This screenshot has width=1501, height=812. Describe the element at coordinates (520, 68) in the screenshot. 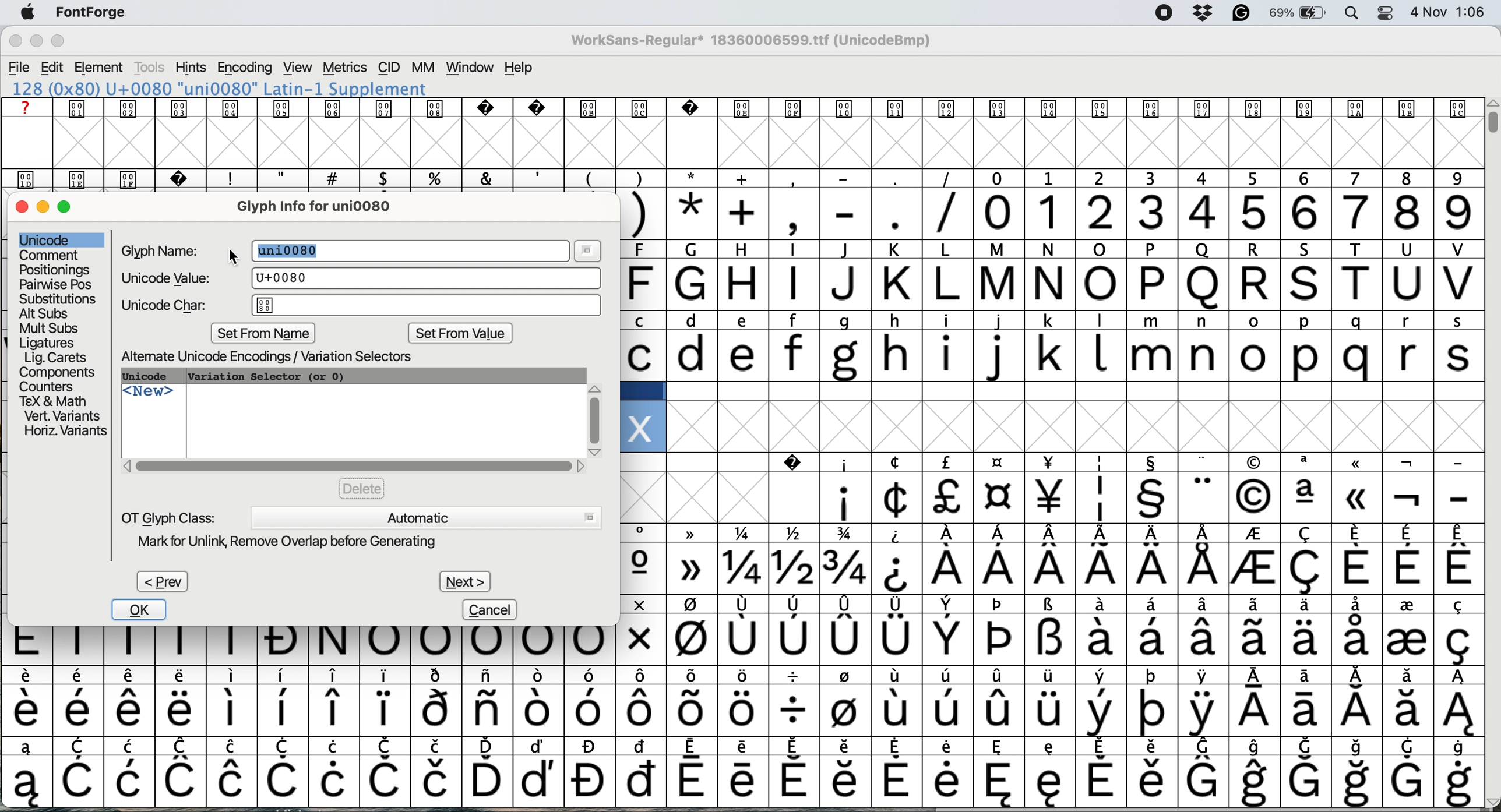

I see `help` at that location.